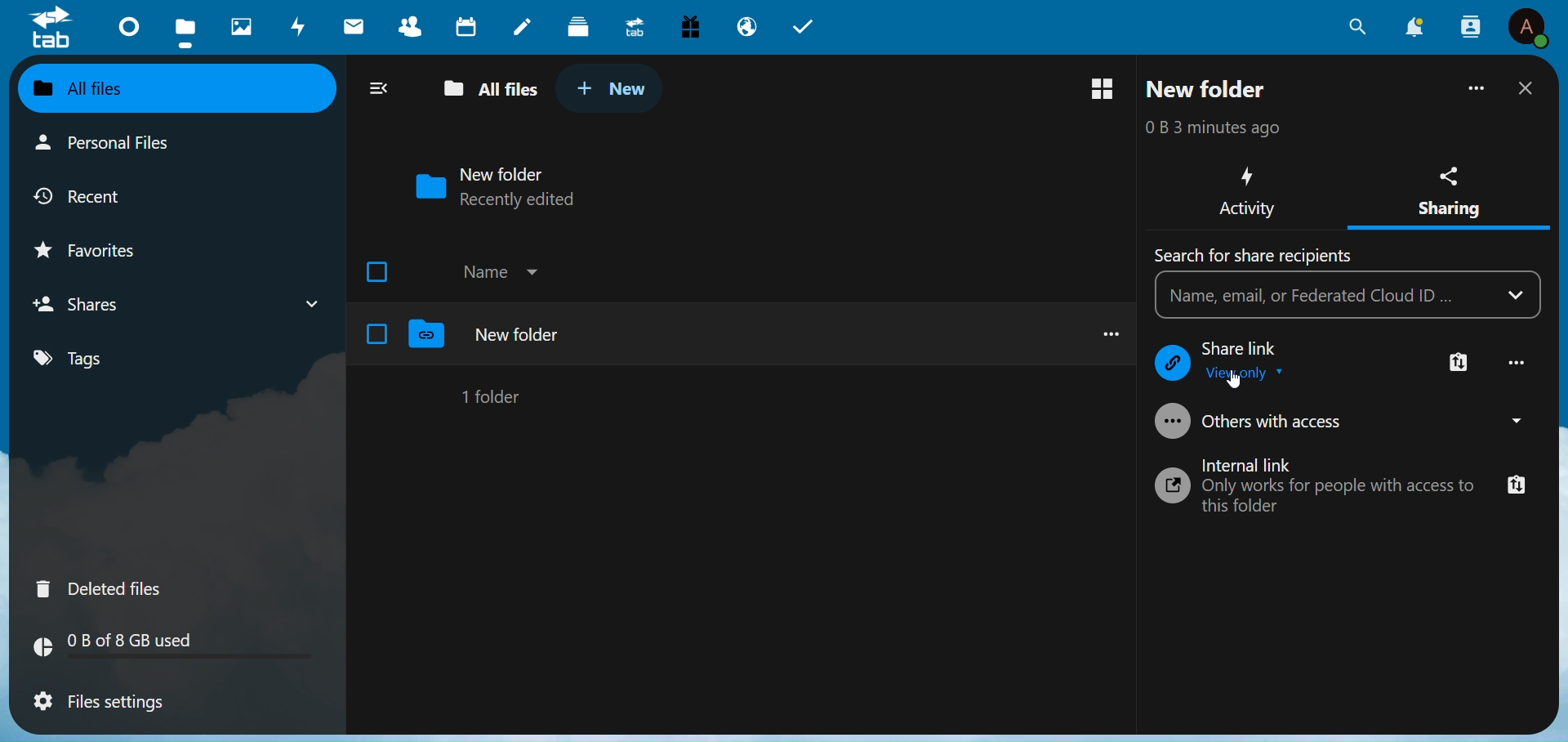 Image resolution: width=1568 pixels, height=742 pixels. I want to click on Notes, so click(520, 23).